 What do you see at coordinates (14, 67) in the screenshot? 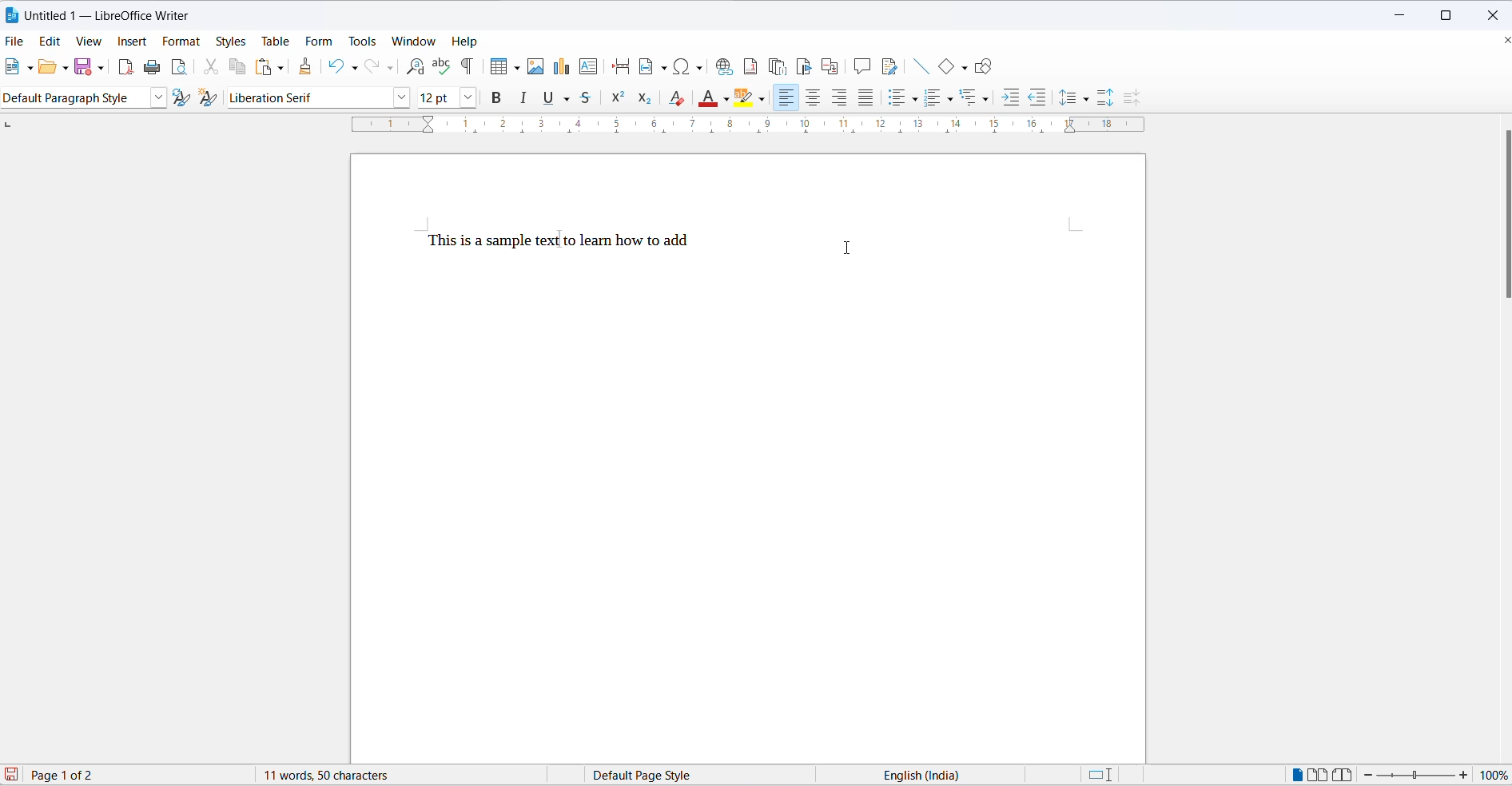
I see `new` at bounding box center [14, 67].